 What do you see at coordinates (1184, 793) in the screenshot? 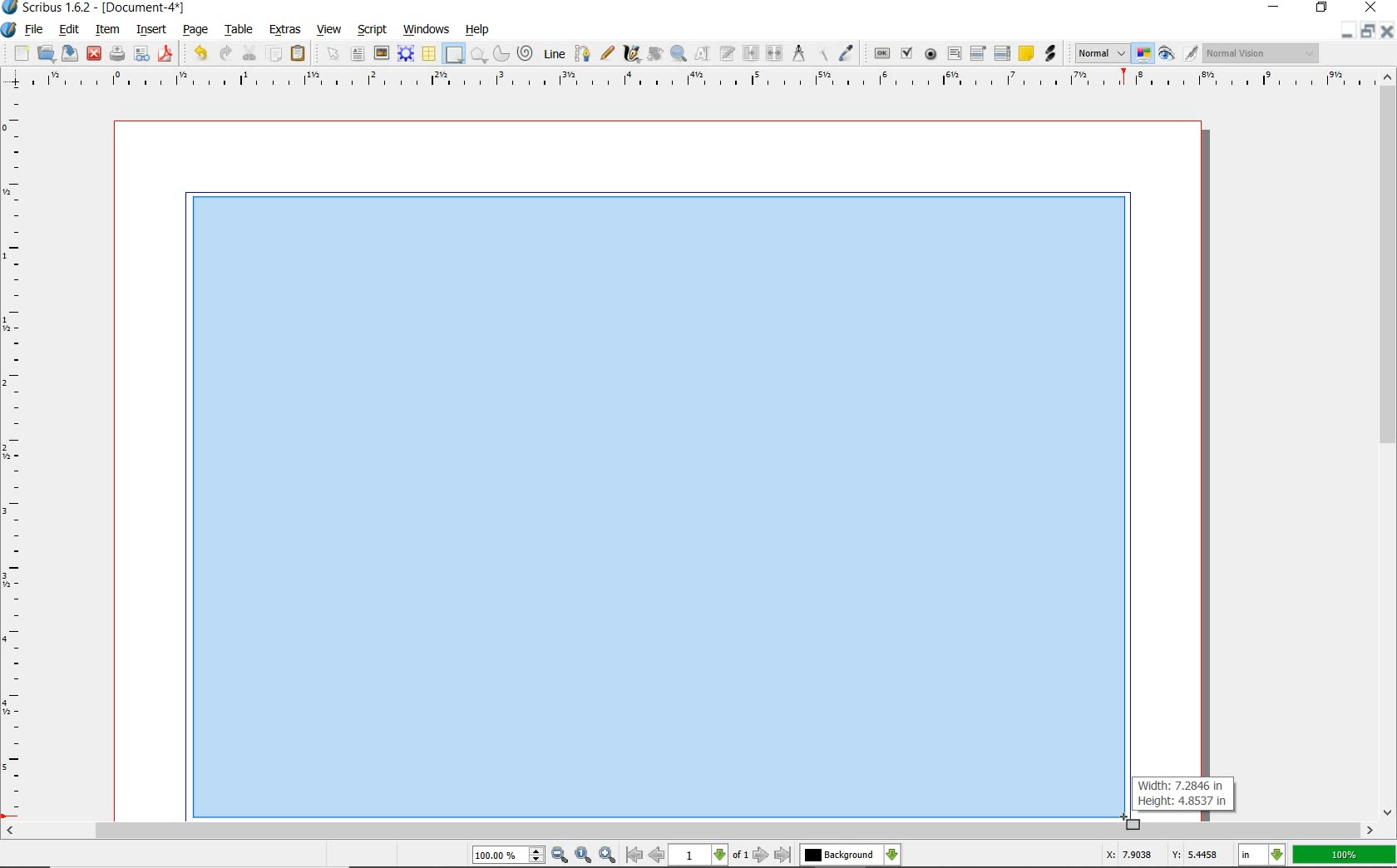
I see `Width: 7.2846 in Height: 4.8537 in` at bounding box center [1184, 793].